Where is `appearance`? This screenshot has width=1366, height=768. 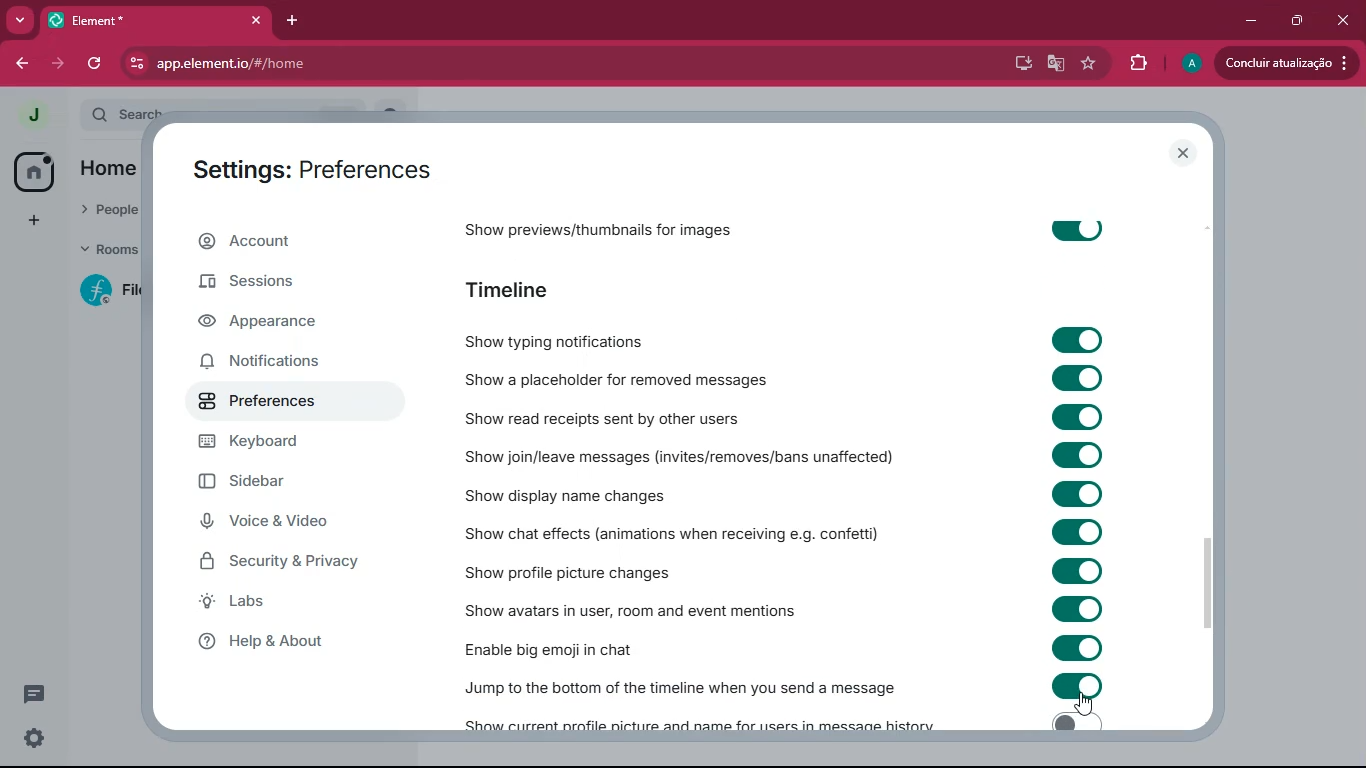 appearance is located at coordinates (282, 322).